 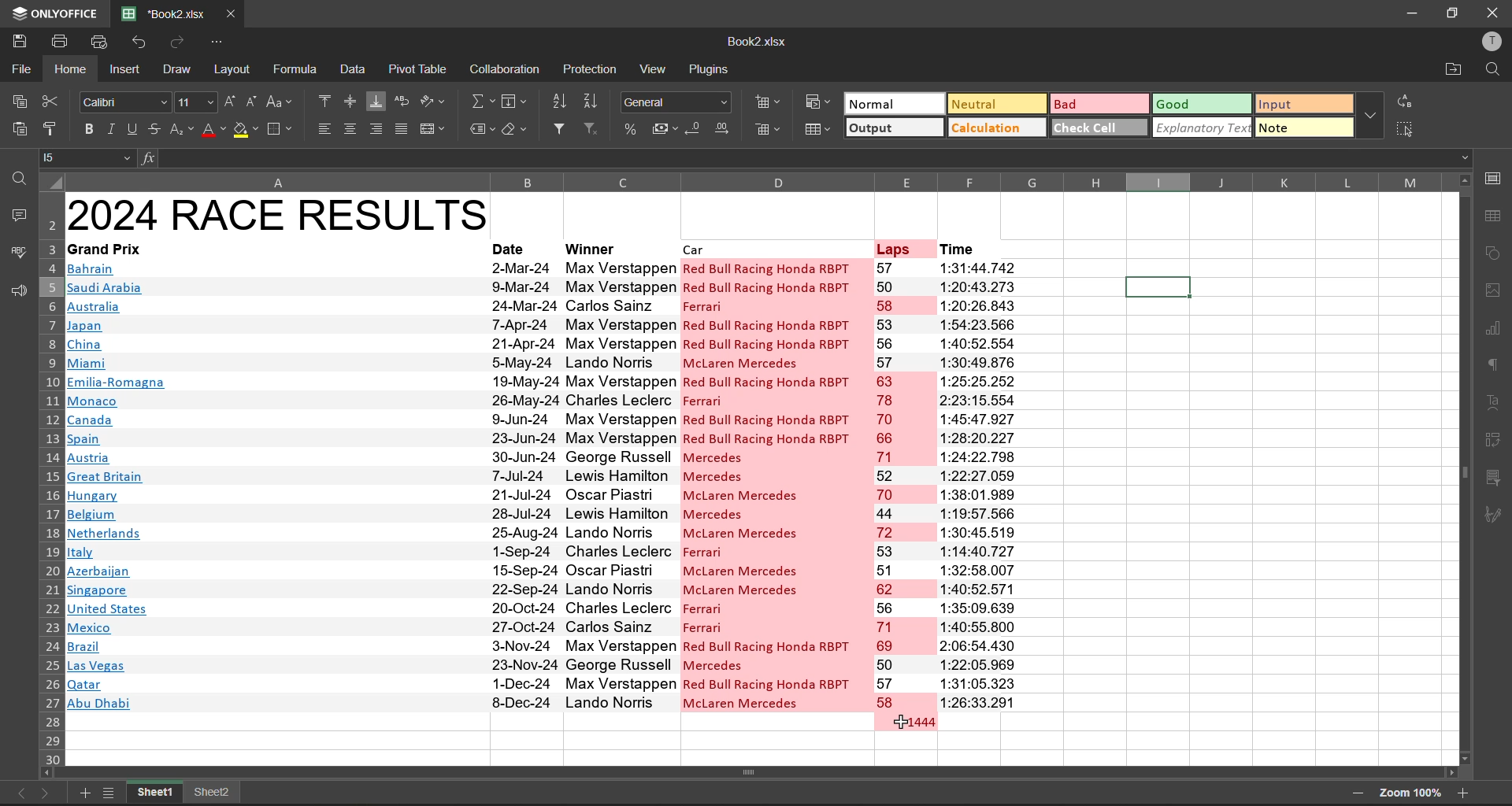 I want to click on align right, so click(x=379, y=130).